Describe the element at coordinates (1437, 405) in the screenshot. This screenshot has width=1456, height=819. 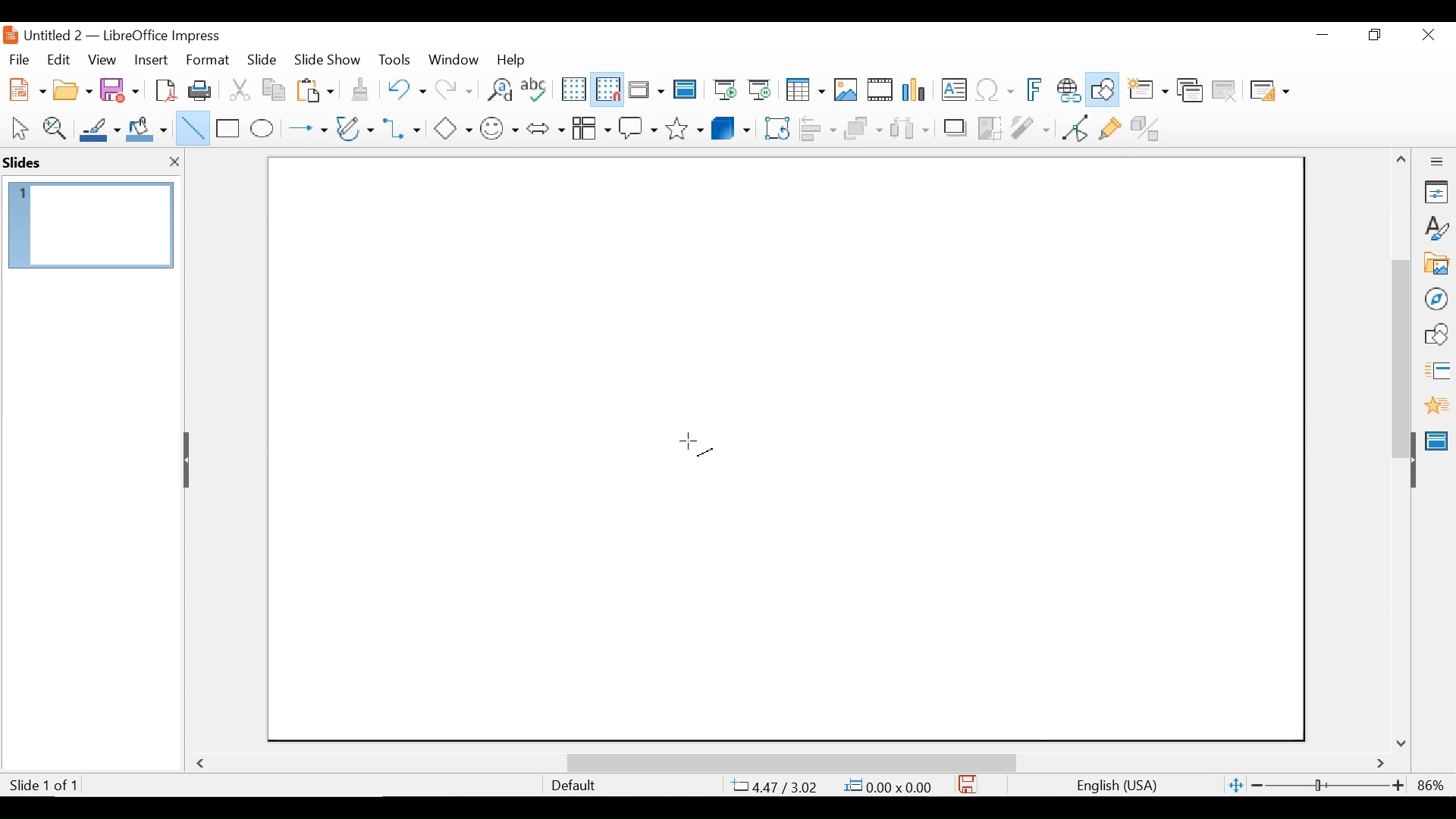
I see `Animation` at that location.